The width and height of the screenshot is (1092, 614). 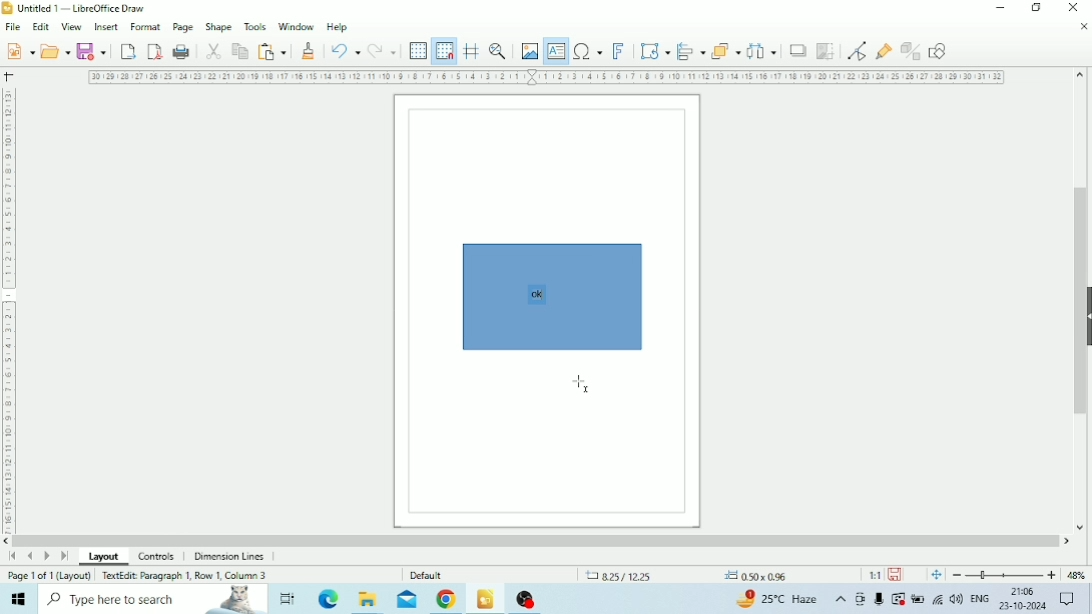 I want to click on Save, so click(x=896, y=574).